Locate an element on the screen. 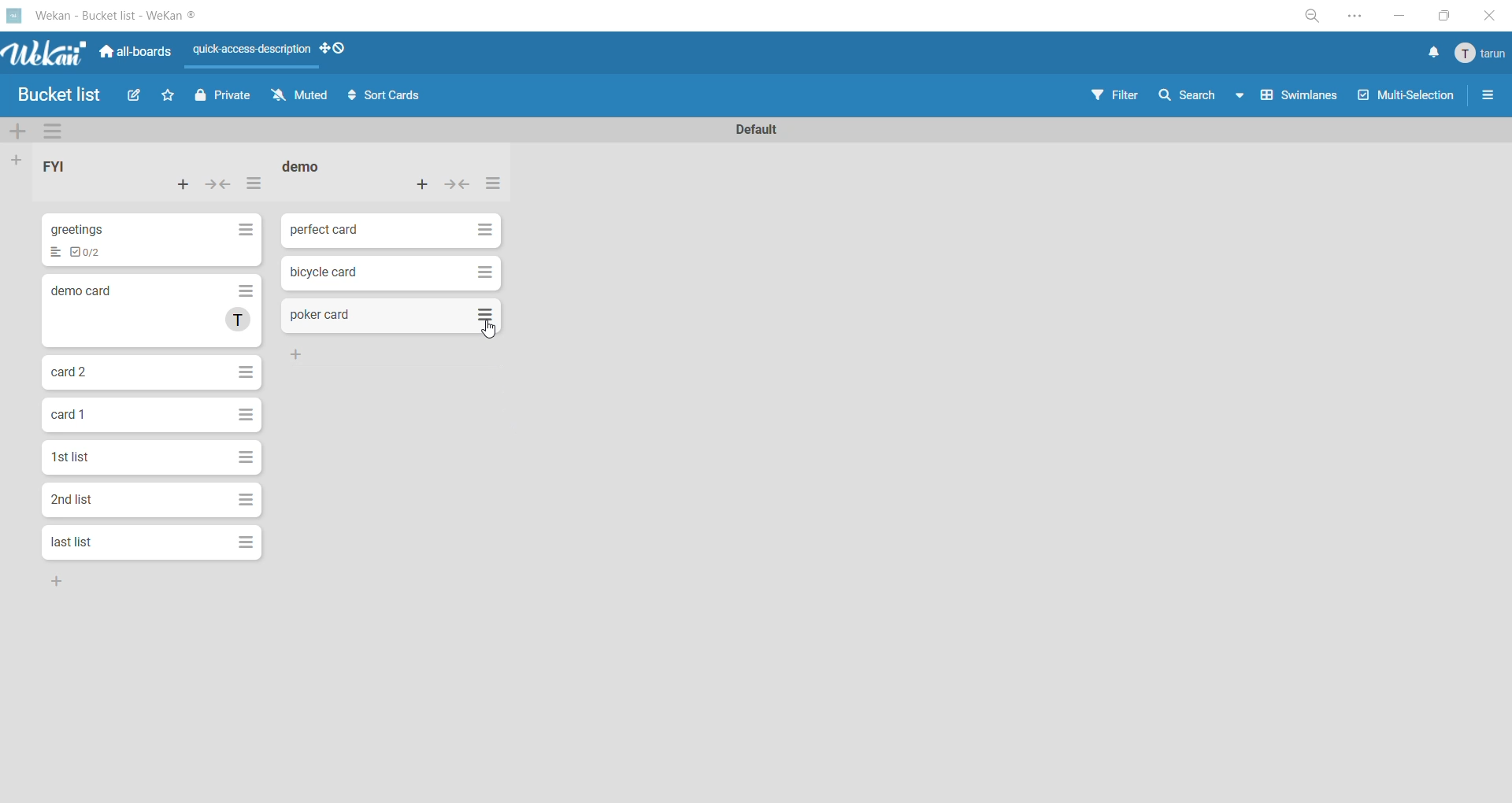 The image size is (1512, 803). Hamburger is located at coordinates (483, 315).